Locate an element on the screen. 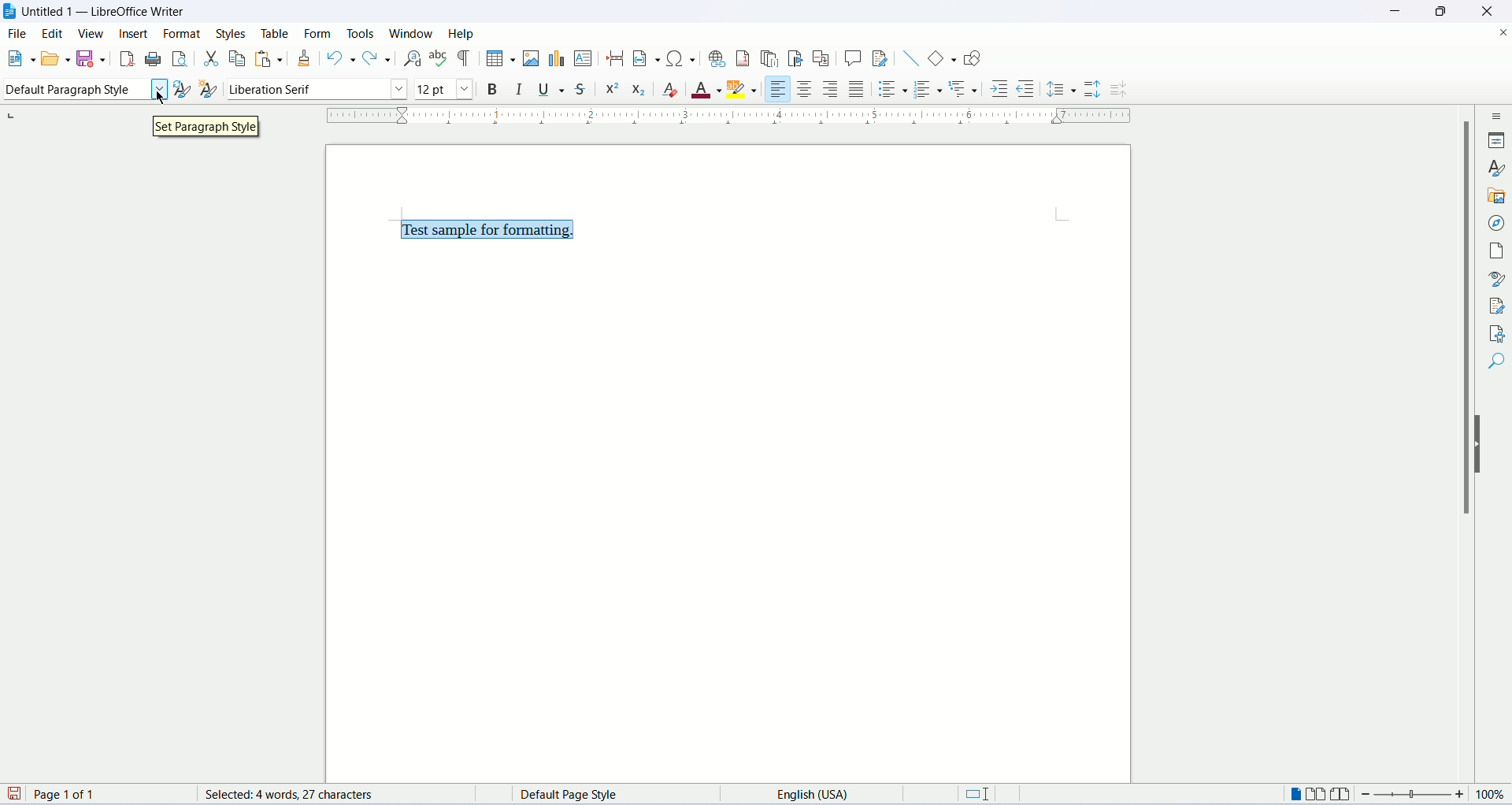 The height and width of the screenshot is (805, 1512). style inspector is located at coordinates (1497, 279).